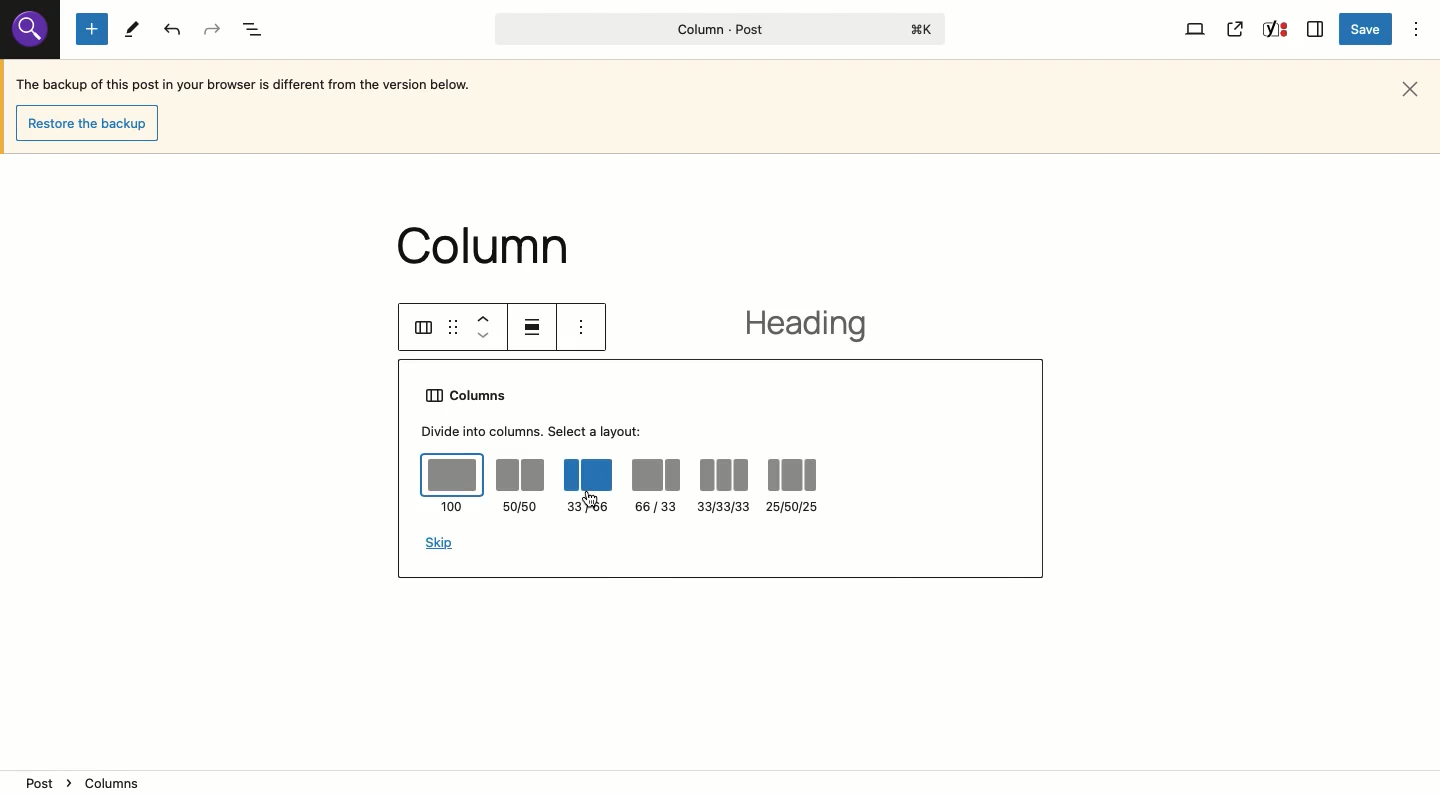 The image size is (1440, 794). What do you see at coordinates (1196, 28) in the screenshot?
I see `View` at bounding box center [1196, 28].